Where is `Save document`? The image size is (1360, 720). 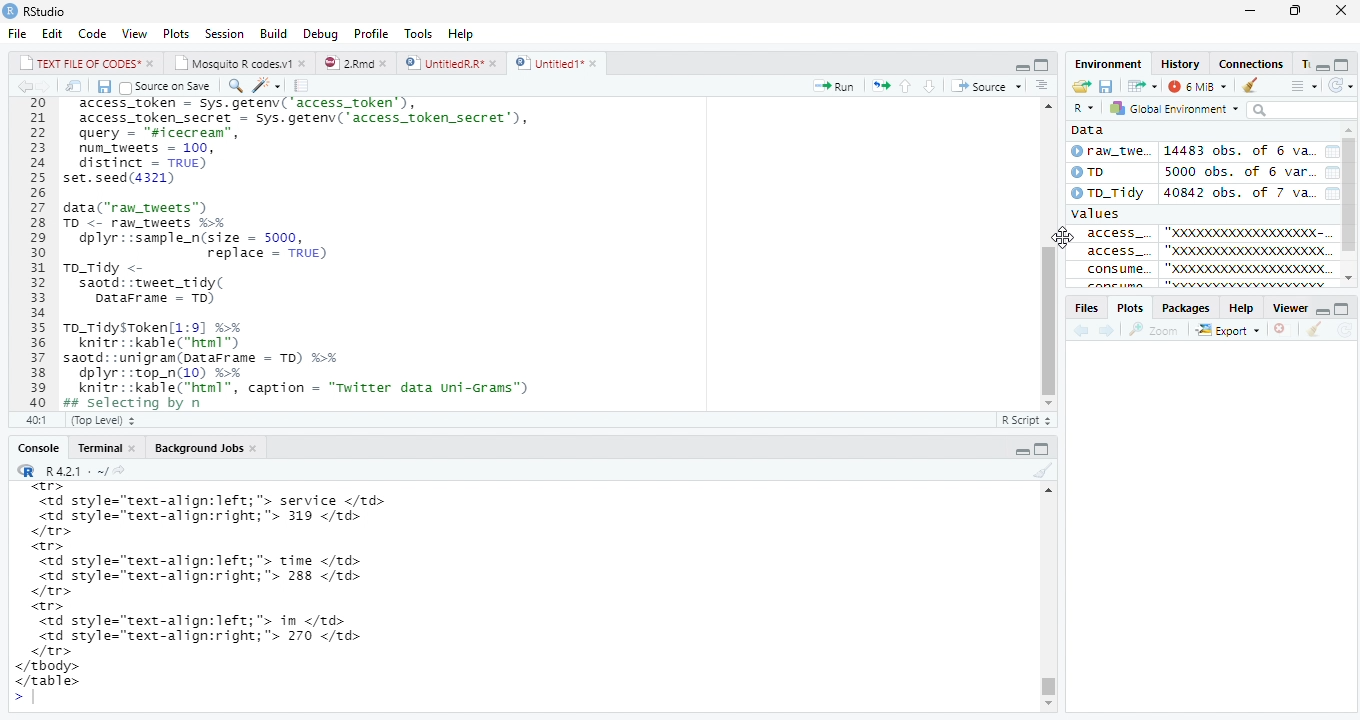
Save document is located at coordinates (102, 86).